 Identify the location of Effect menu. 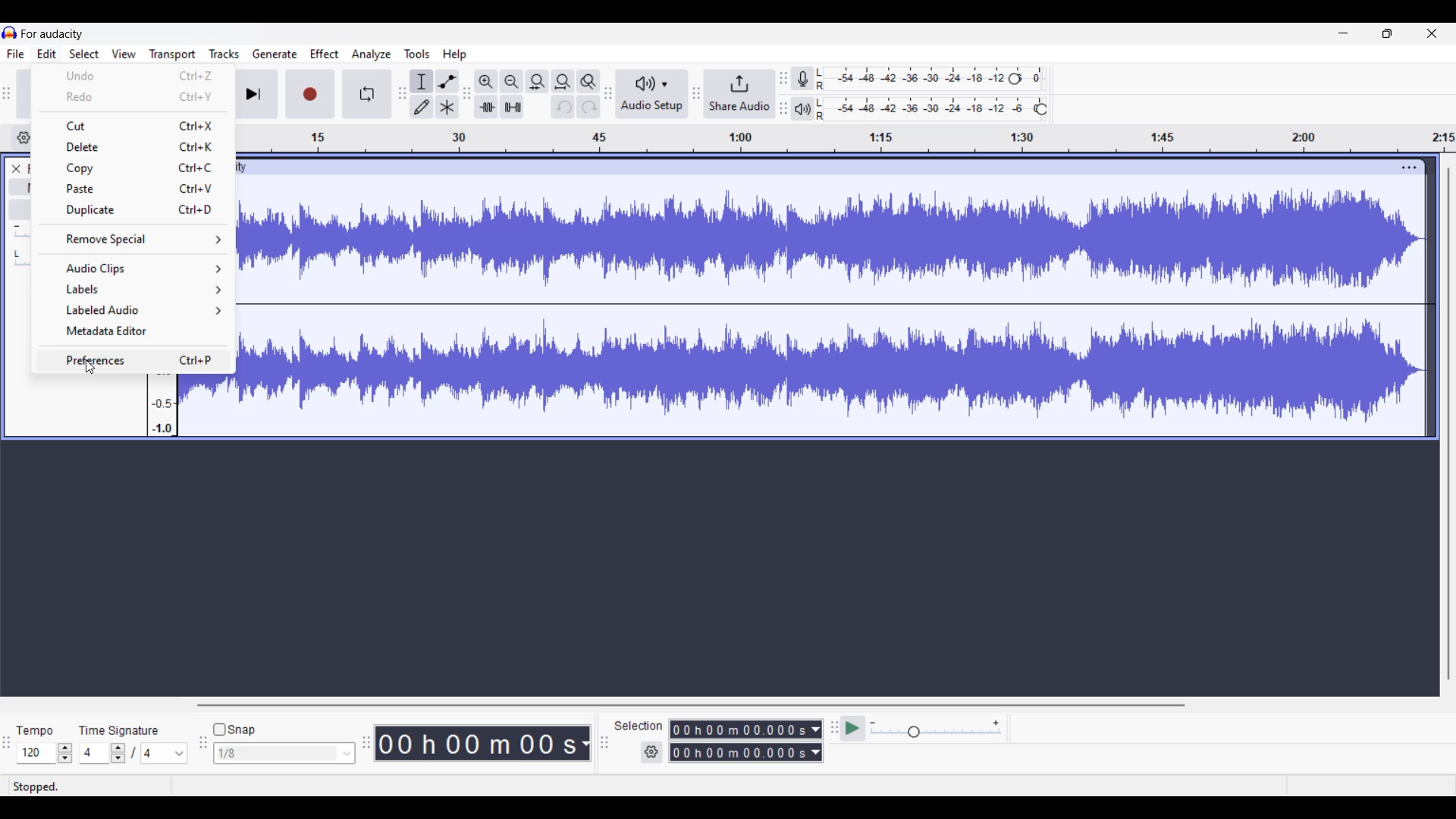
(324, 54).